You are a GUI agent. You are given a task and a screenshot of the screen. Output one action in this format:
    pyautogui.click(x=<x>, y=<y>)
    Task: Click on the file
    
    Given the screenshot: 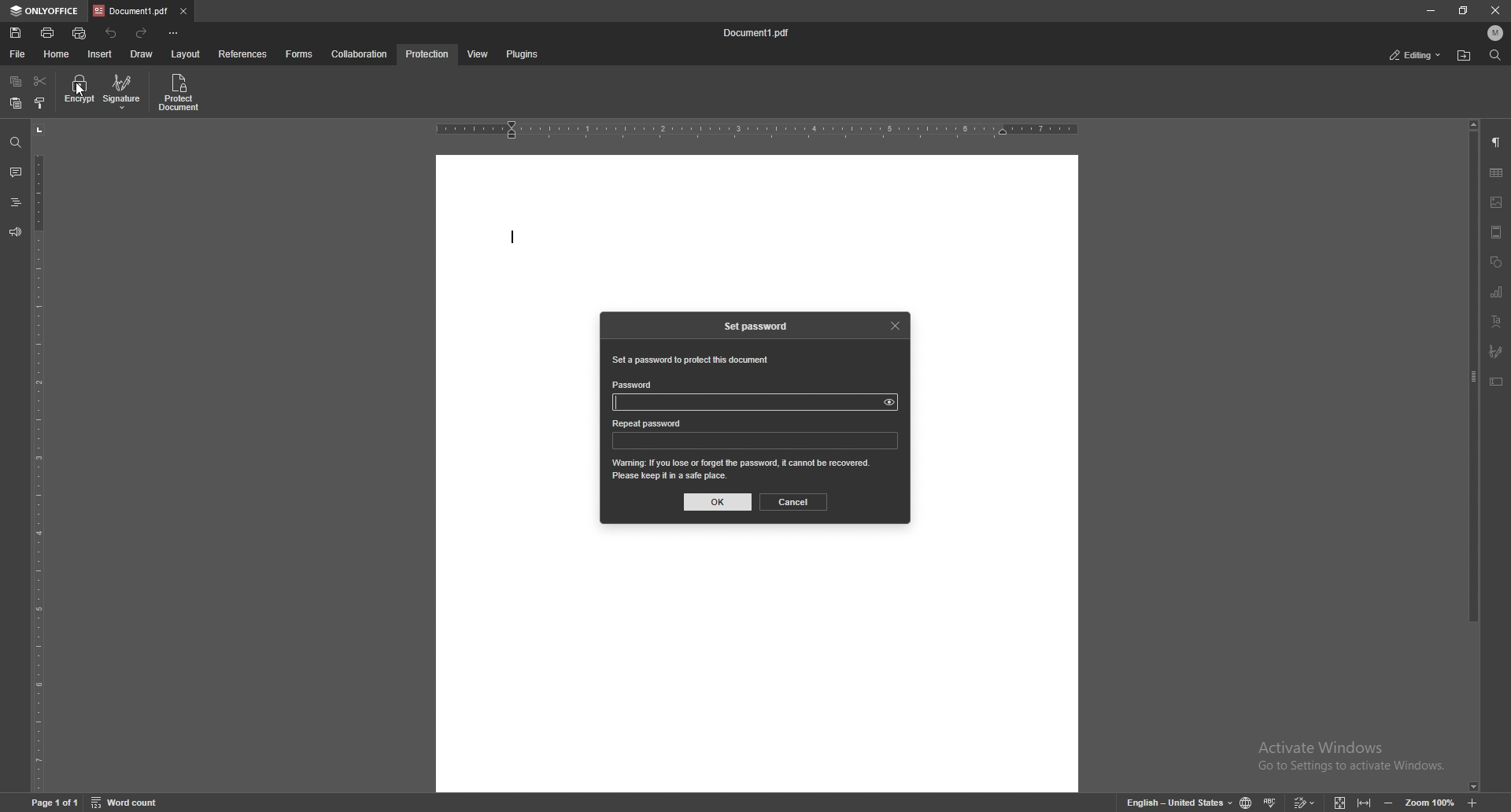 What is the action you would take?
    pyautogui.click(x=16, y=55)
    